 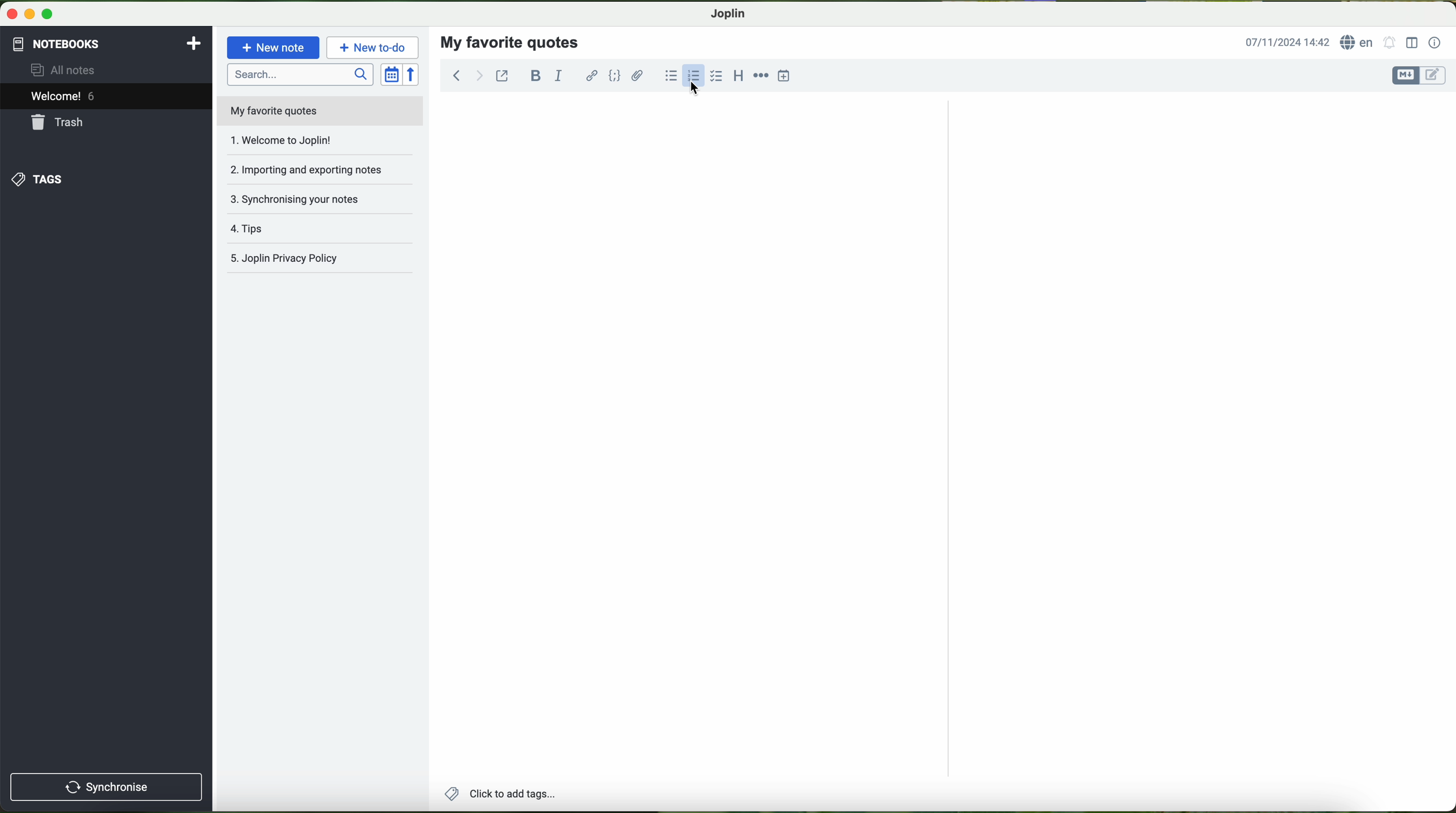 What do you see at coordinates (1359, 42) in the screenshot?
I see `language` at bounding box center [1359, 42].